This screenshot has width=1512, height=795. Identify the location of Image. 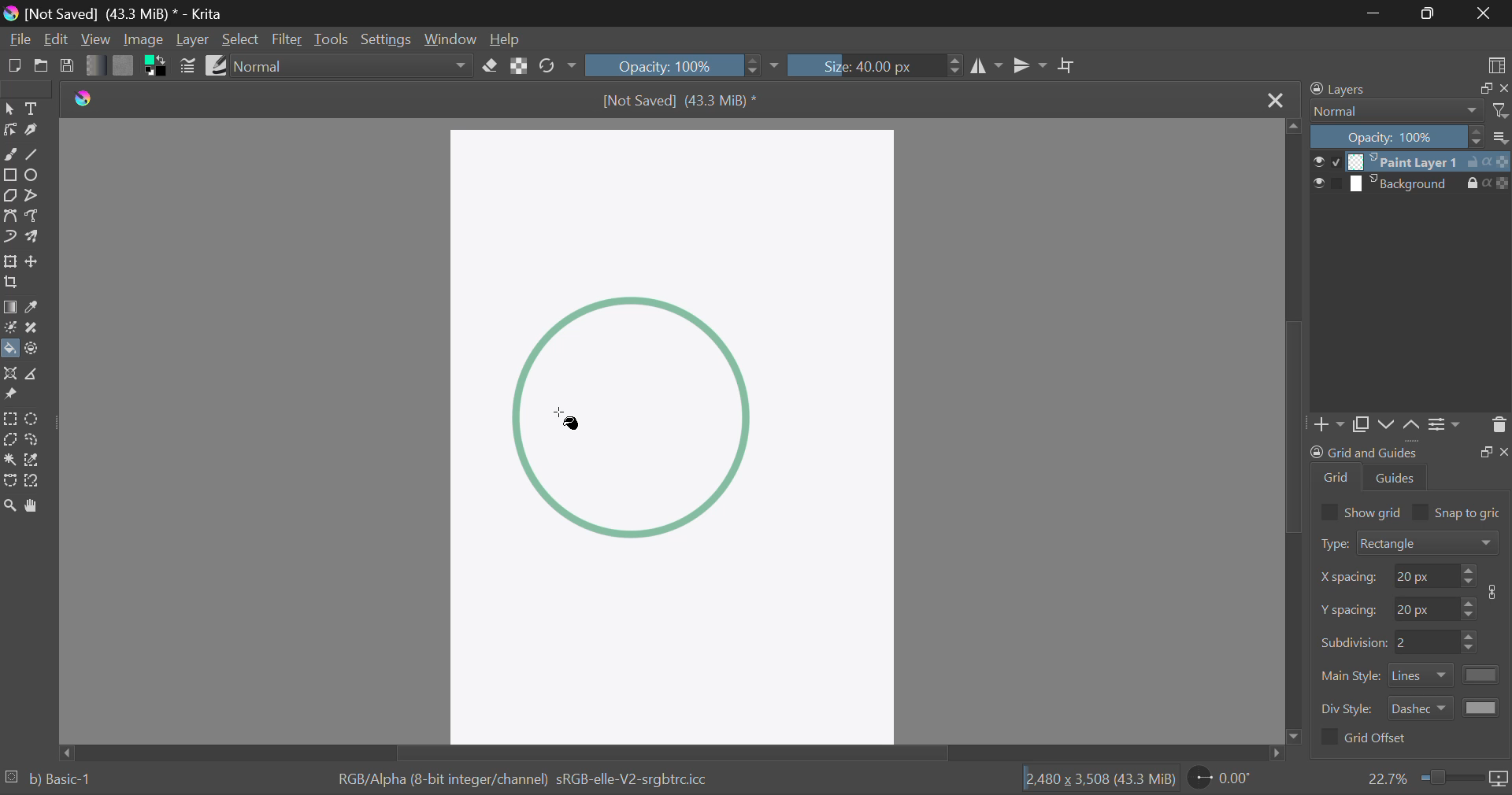
(141, 40).